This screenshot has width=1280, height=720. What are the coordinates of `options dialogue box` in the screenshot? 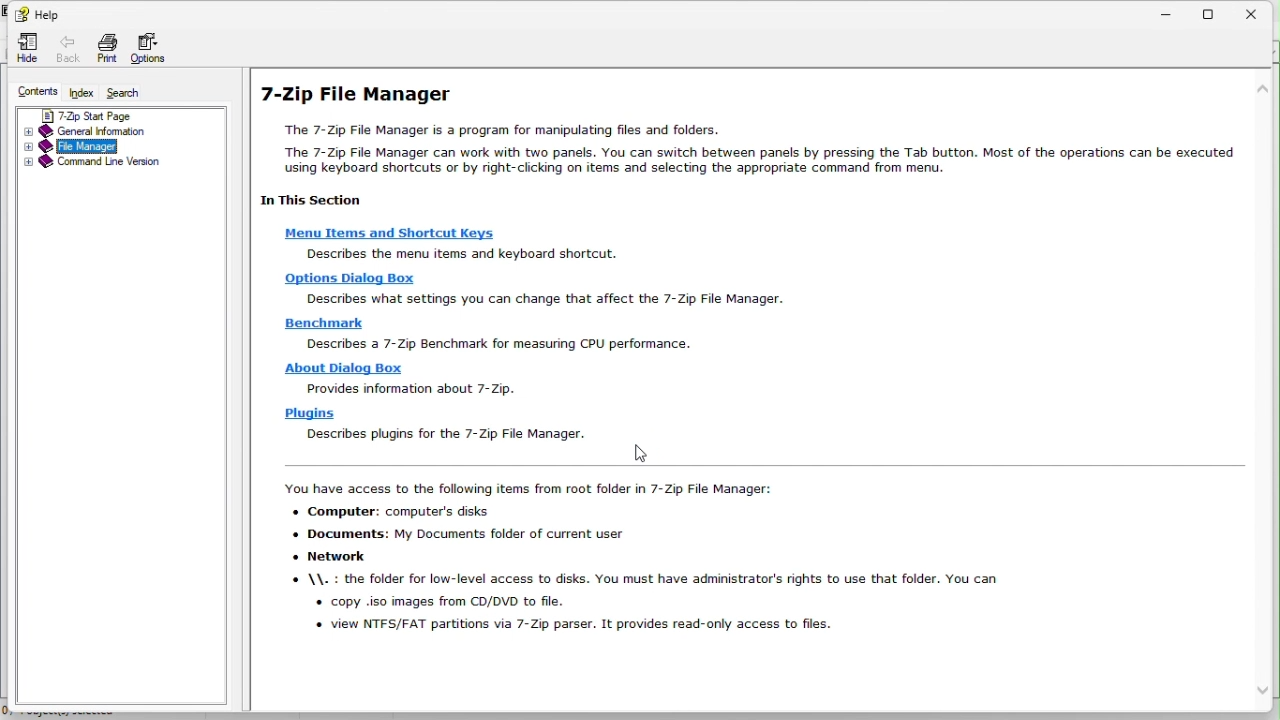 It's located at (351, 278).